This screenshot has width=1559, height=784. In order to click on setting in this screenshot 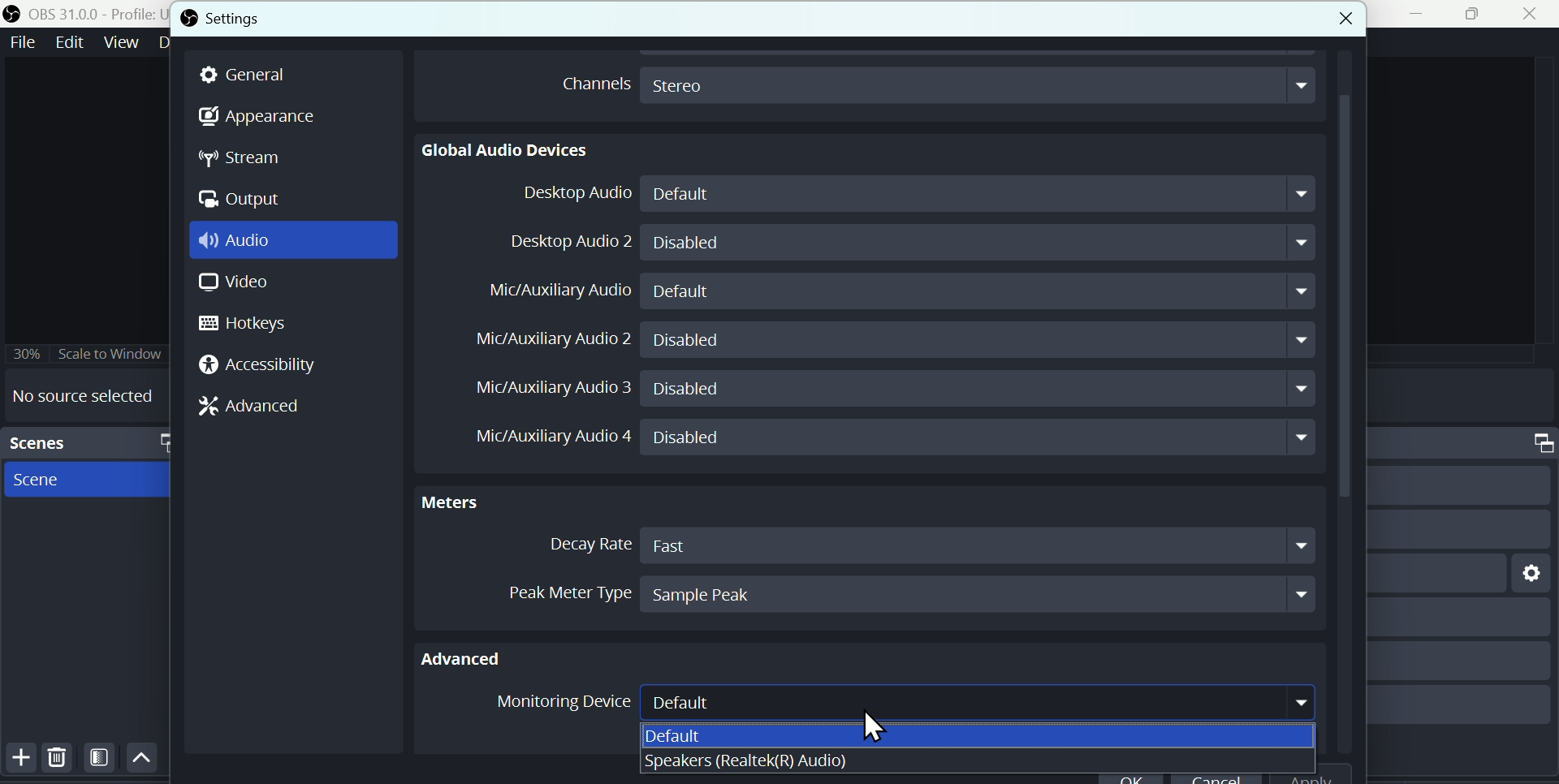, I will do `click(1527, 571)`.